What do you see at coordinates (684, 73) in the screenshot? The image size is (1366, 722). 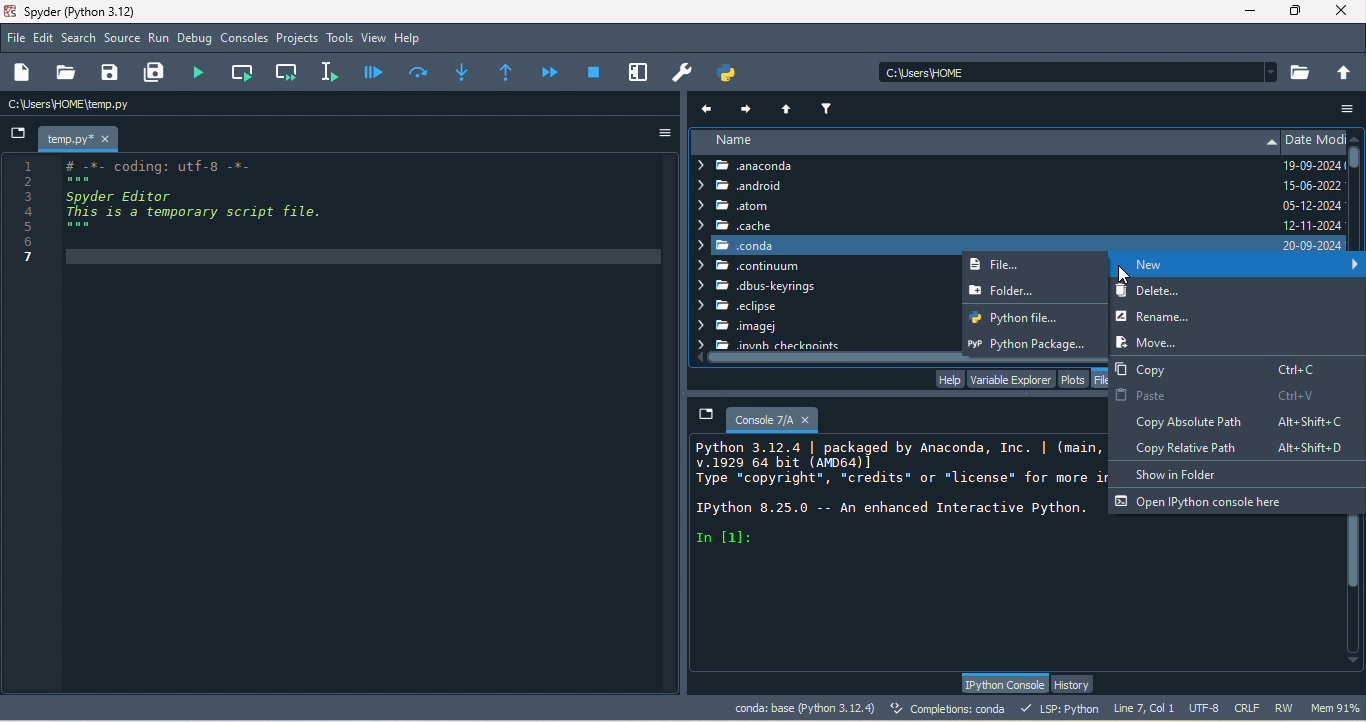 I see `preferences` at bounding box center [684, 73].